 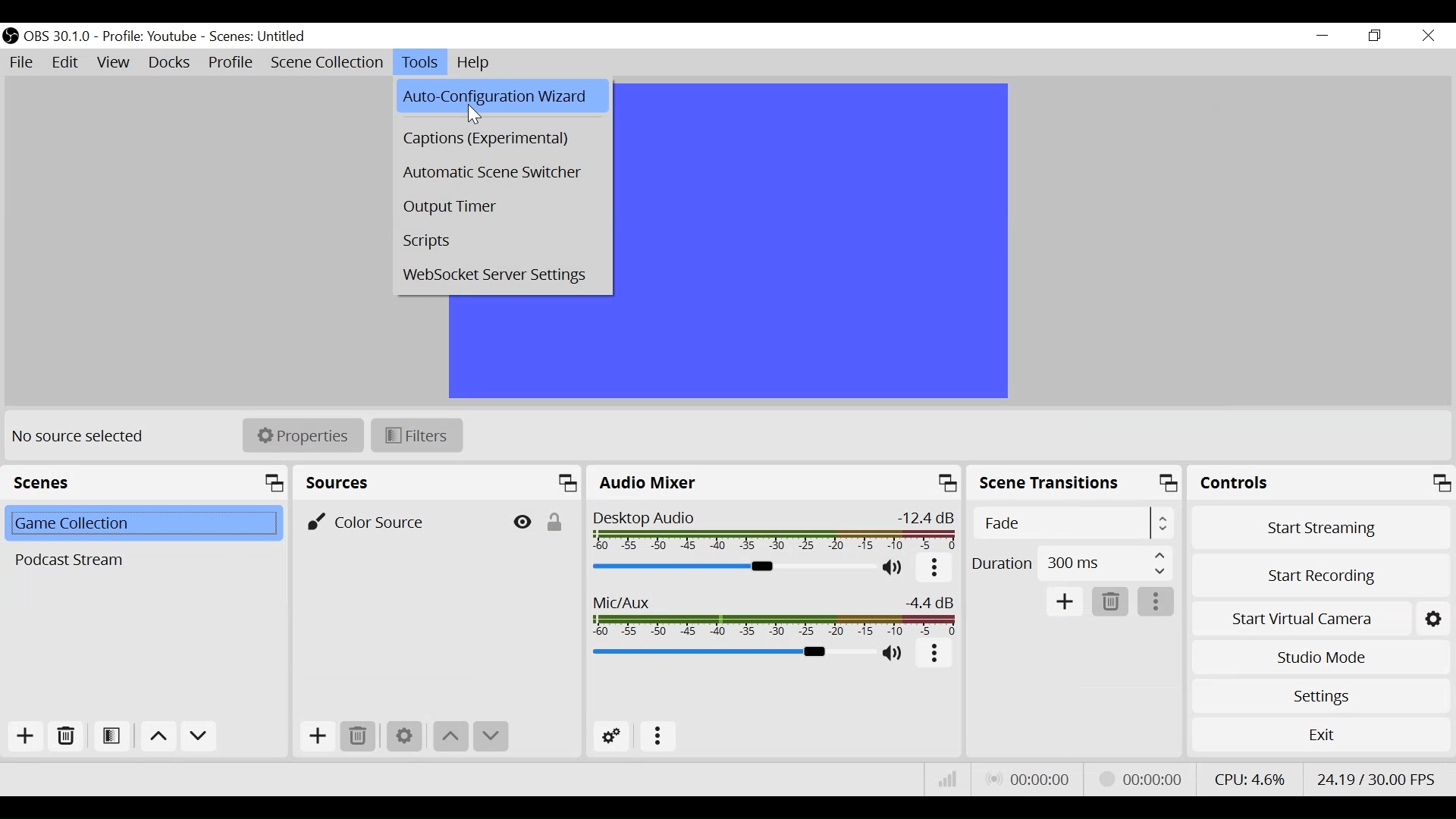 I want to click on Scene Transition, so click(x=1075, y=484).